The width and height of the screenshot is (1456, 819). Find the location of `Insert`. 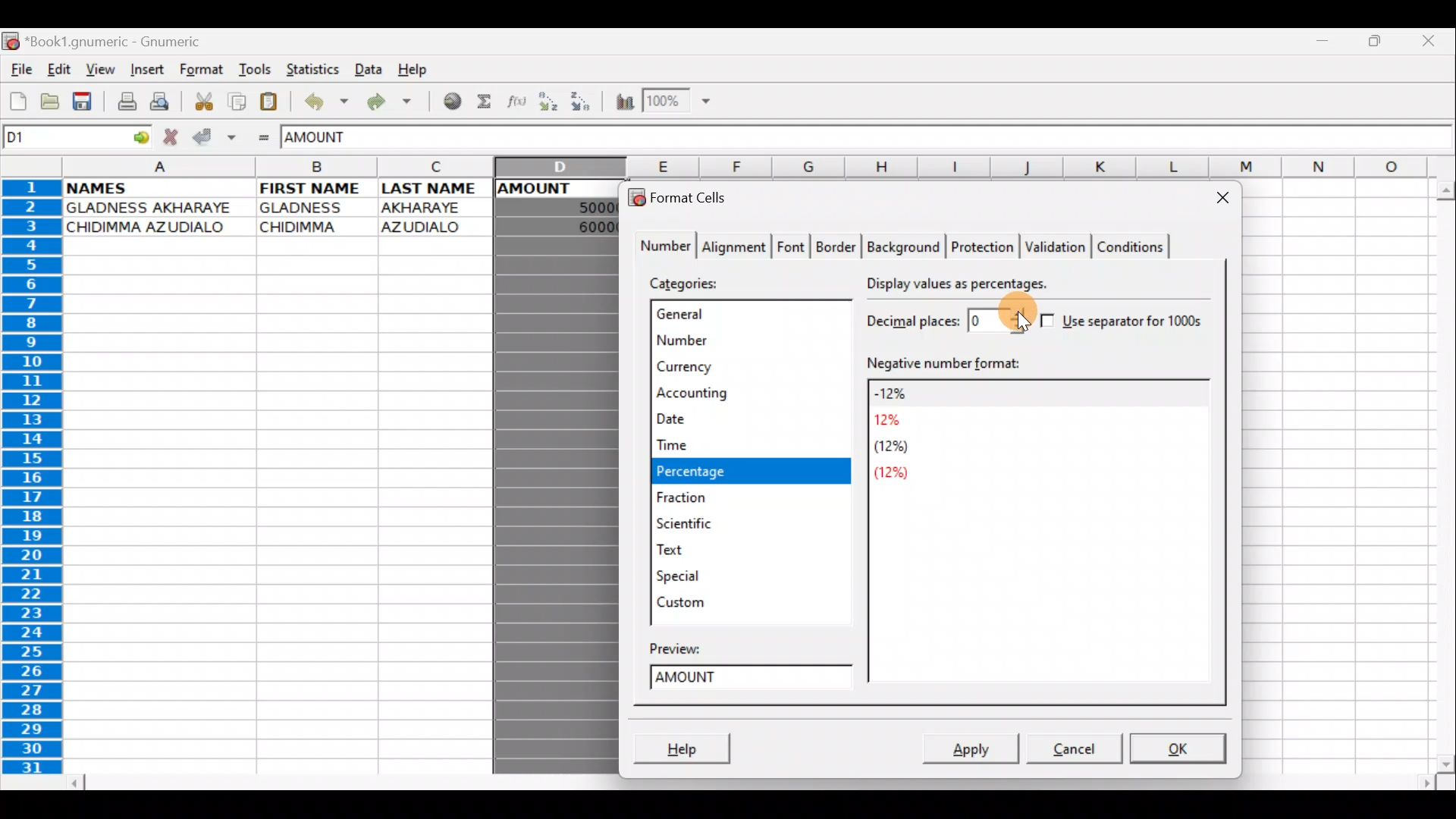

Insert is located at coordinates (146, 72).